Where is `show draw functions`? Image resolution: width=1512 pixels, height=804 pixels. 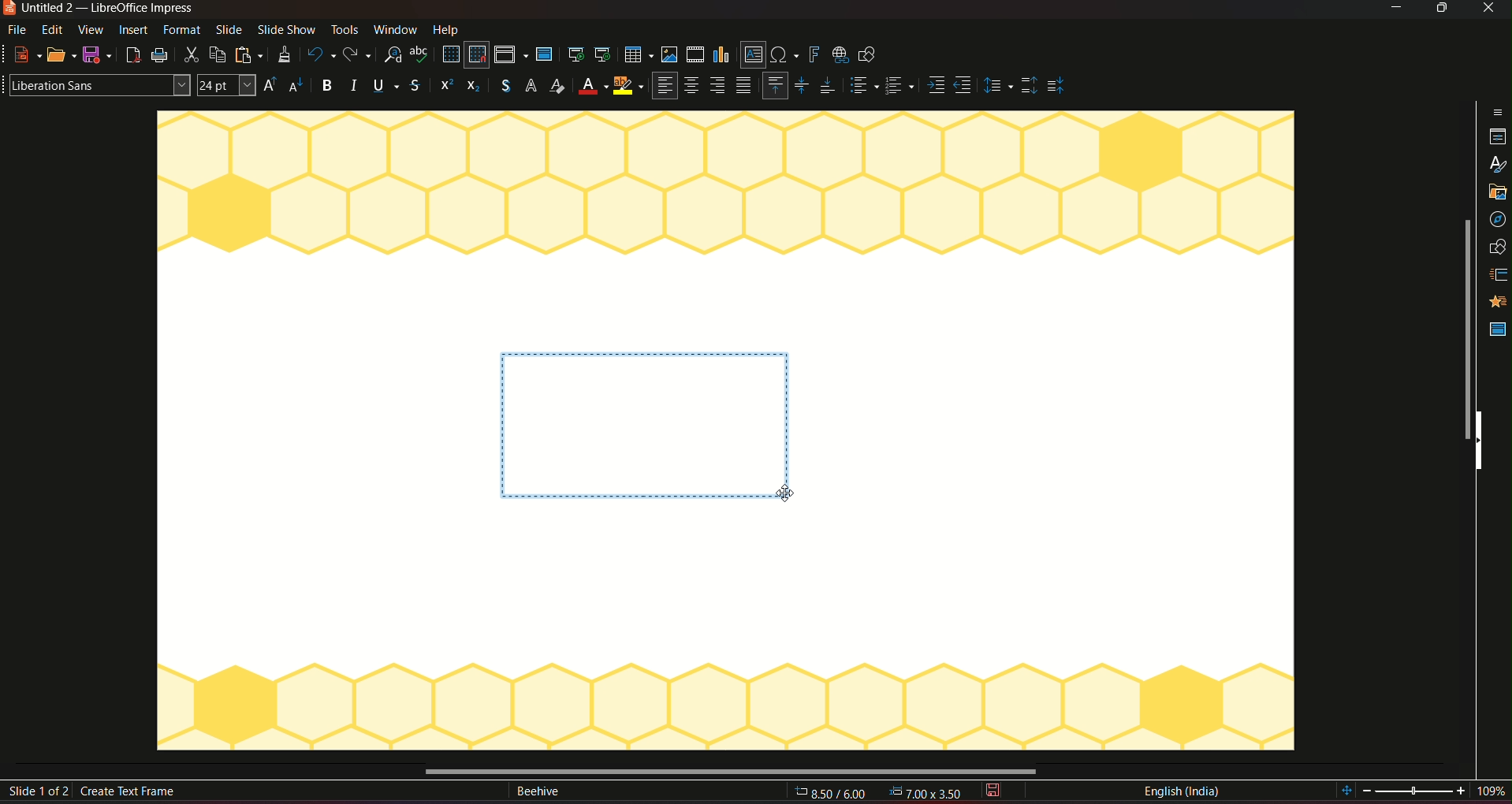 show draw functions is located at coordinates (872, 56).